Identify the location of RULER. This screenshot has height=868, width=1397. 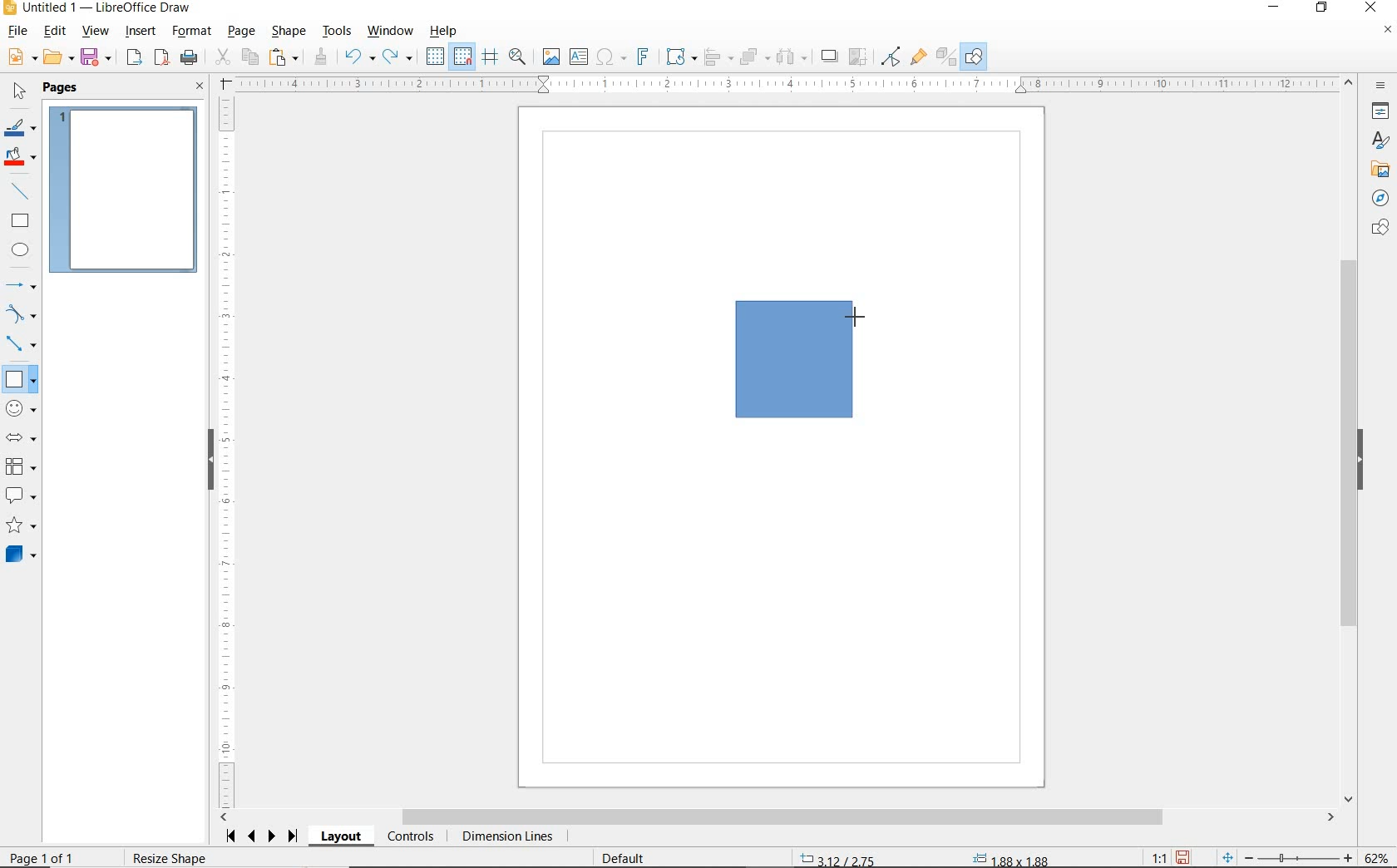
(787, 84).